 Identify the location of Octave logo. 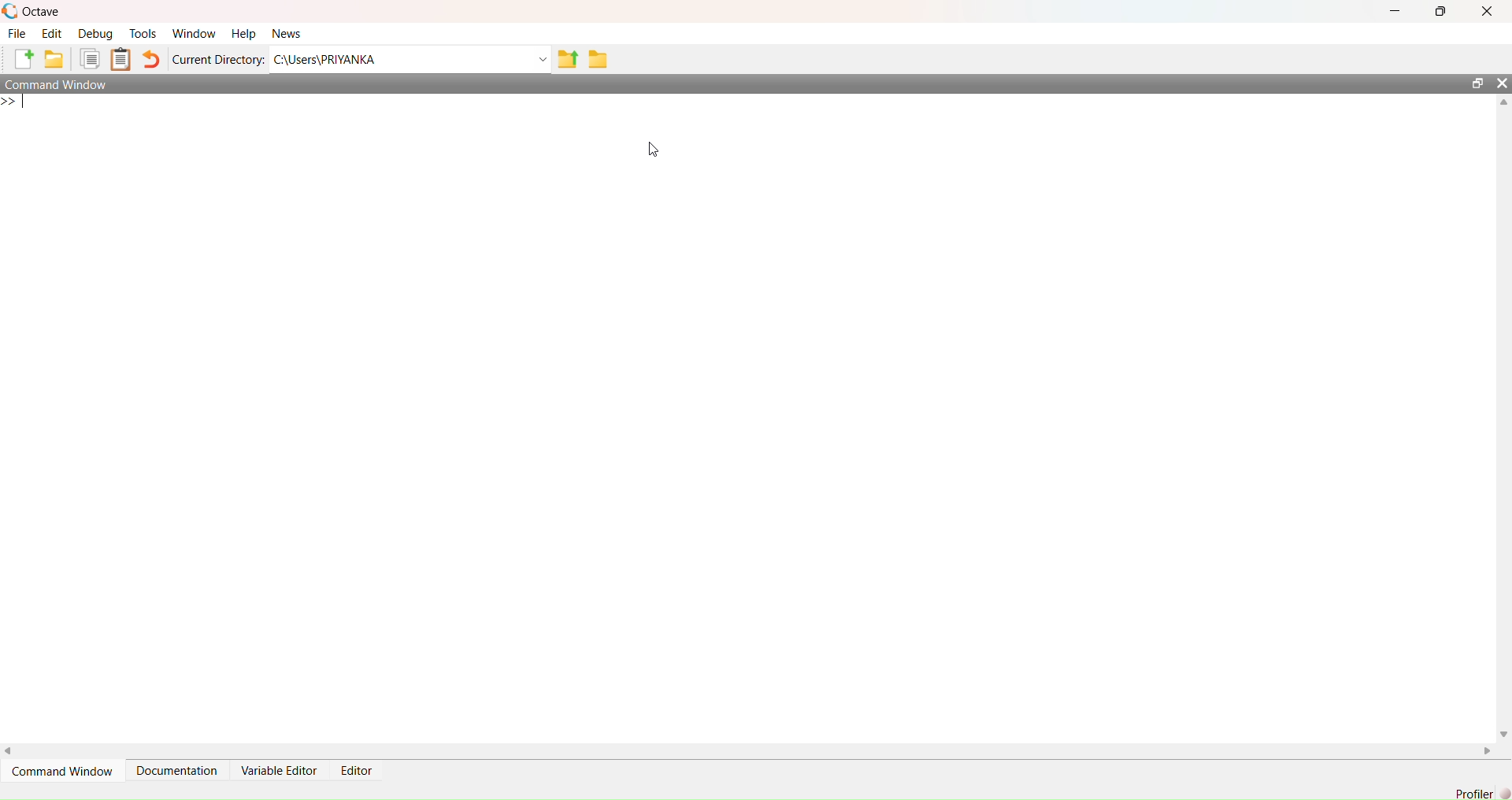
(10, 11).